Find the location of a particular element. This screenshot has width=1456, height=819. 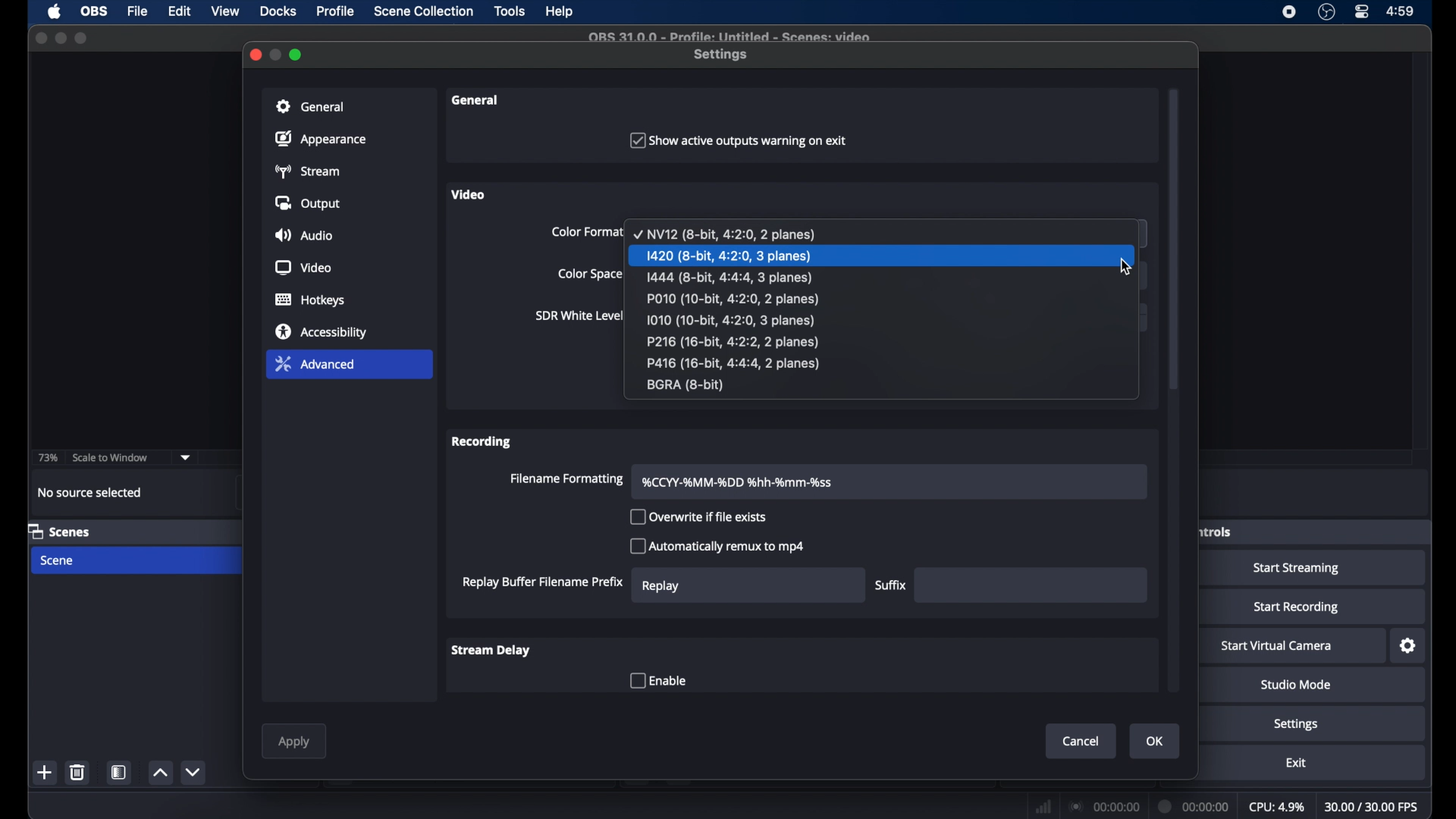

Enable is located at coordinates (656, 680).